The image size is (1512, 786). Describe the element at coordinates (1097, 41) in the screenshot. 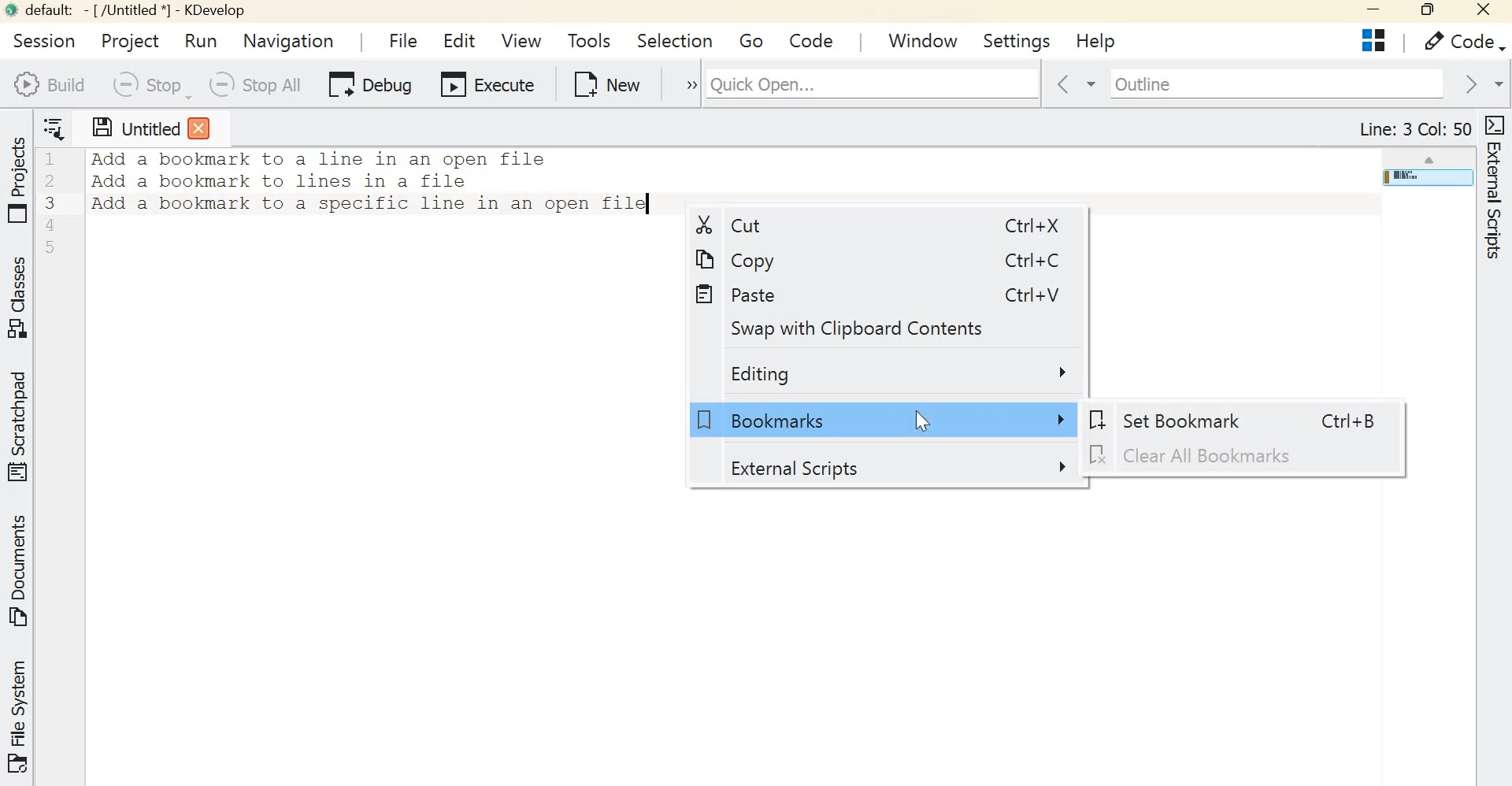

I see `Help` at that location.